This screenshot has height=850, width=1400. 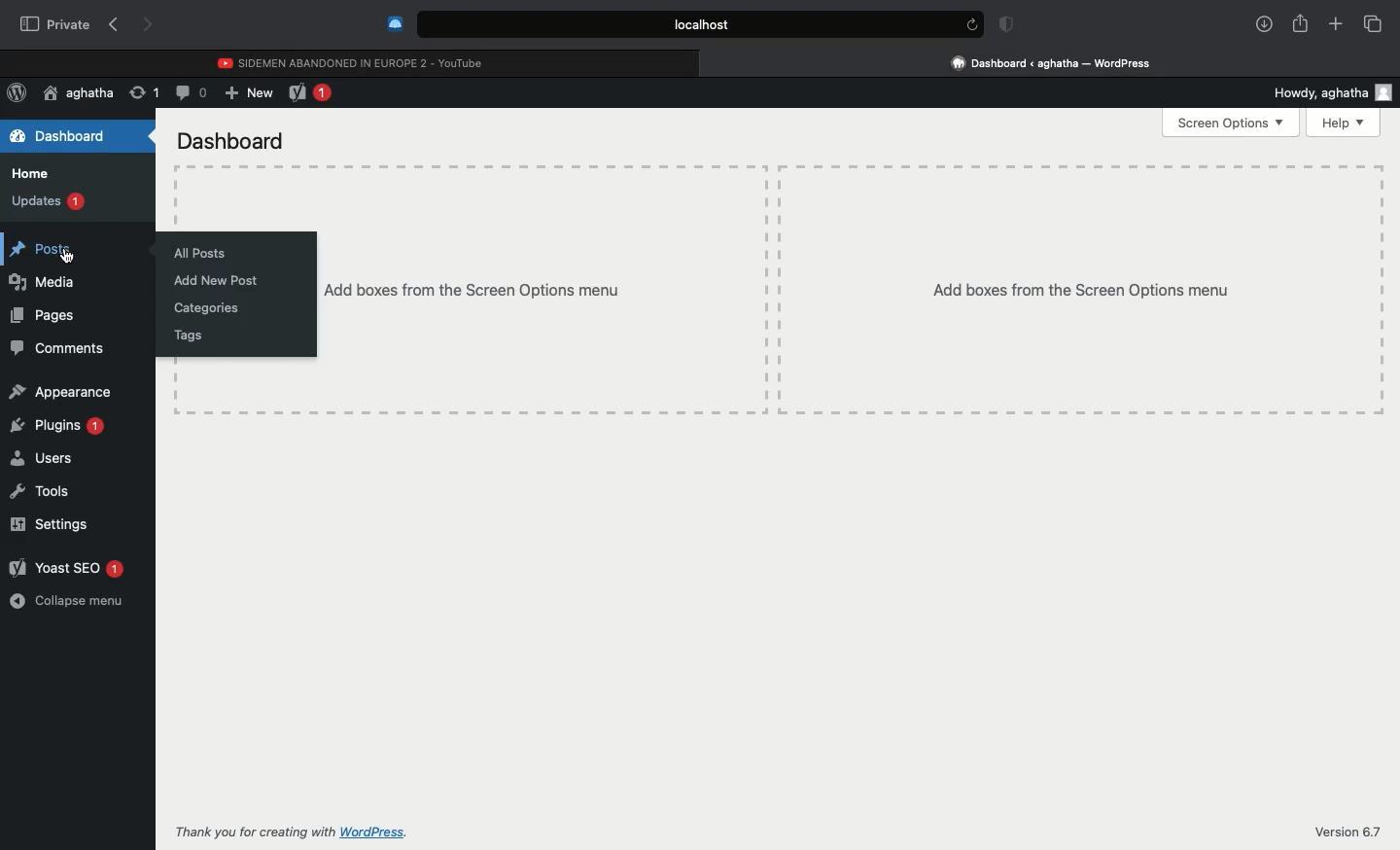 What do you see at coordinates (54, 431) in the screenshot?
I see `Plugins` at bounding box center [54, 431].